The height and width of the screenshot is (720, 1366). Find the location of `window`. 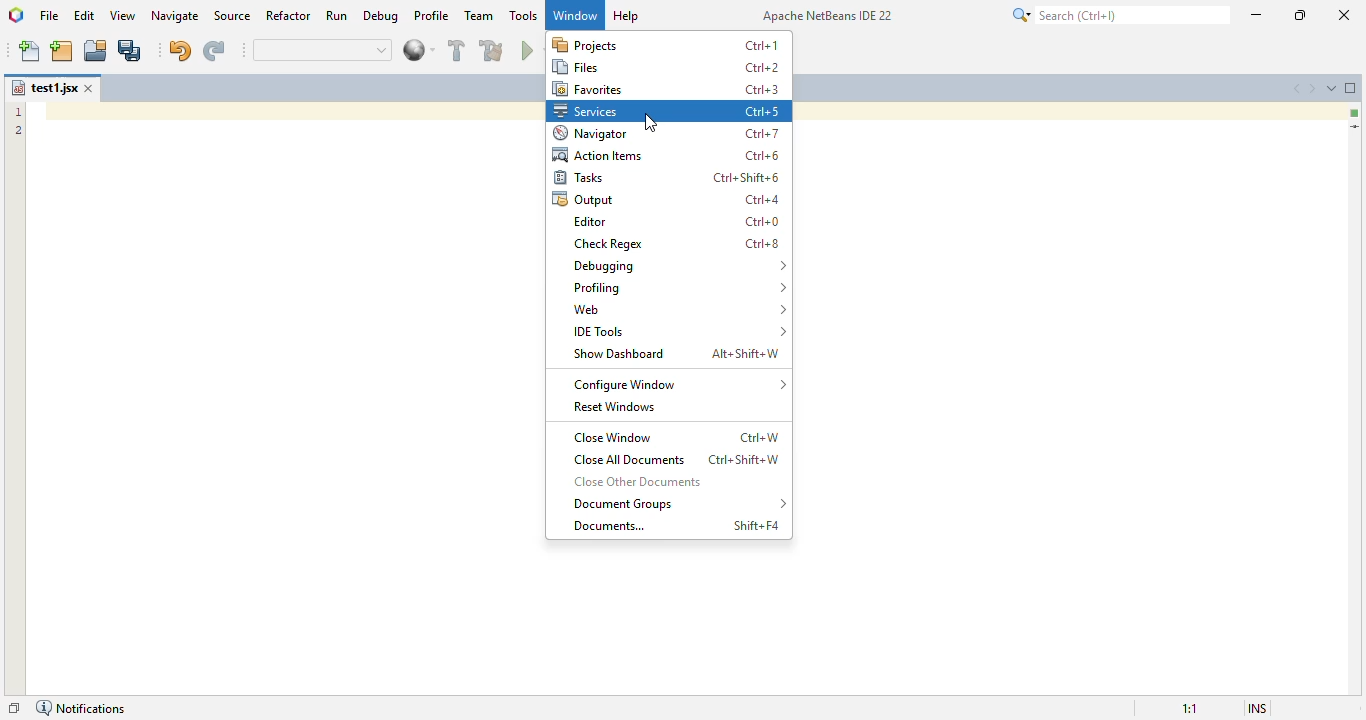

window is located at coordinates (575, 15).